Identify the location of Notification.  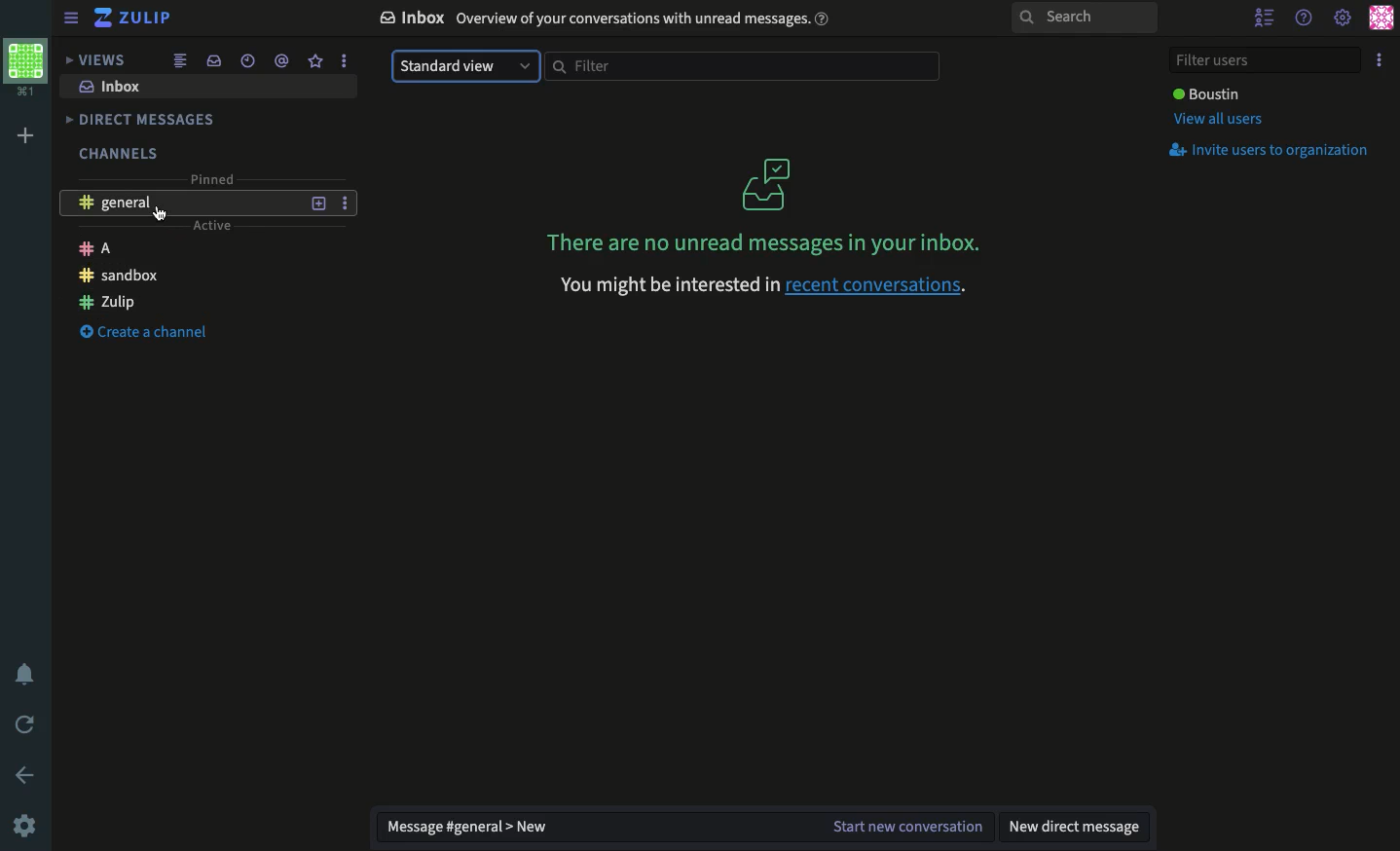
(23, 672).